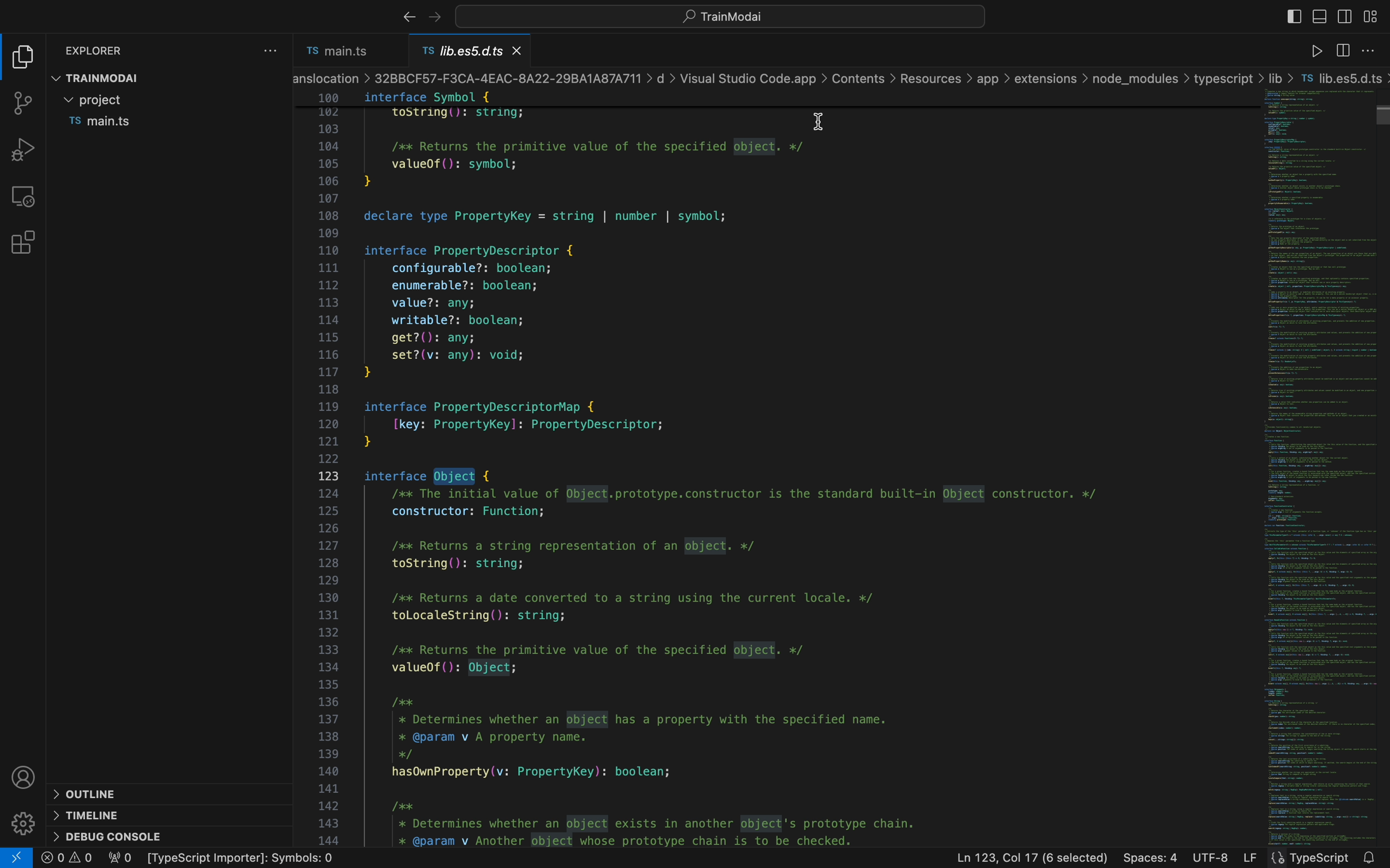 The height and width of the screenshot is (868, 1390). I want to click on file settings, so click(257, 51).